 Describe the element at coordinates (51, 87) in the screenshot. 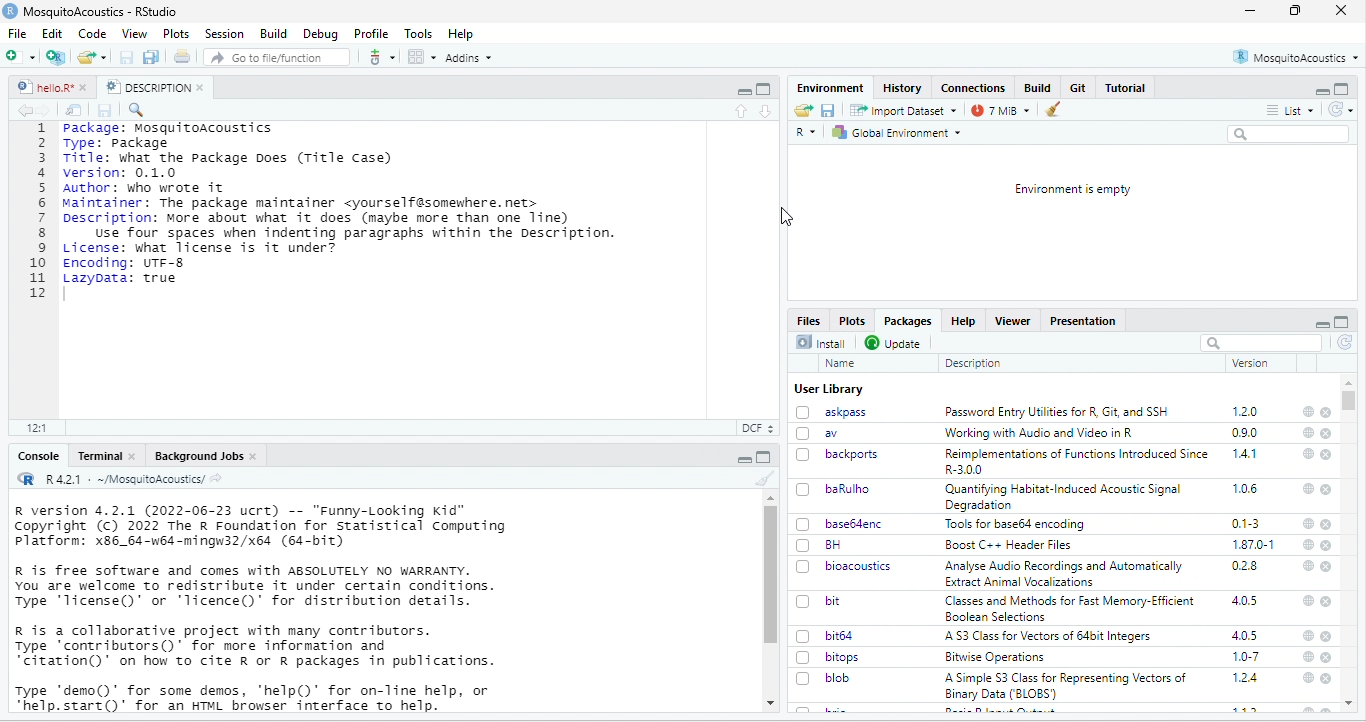

I see `hello.R*` at that location.